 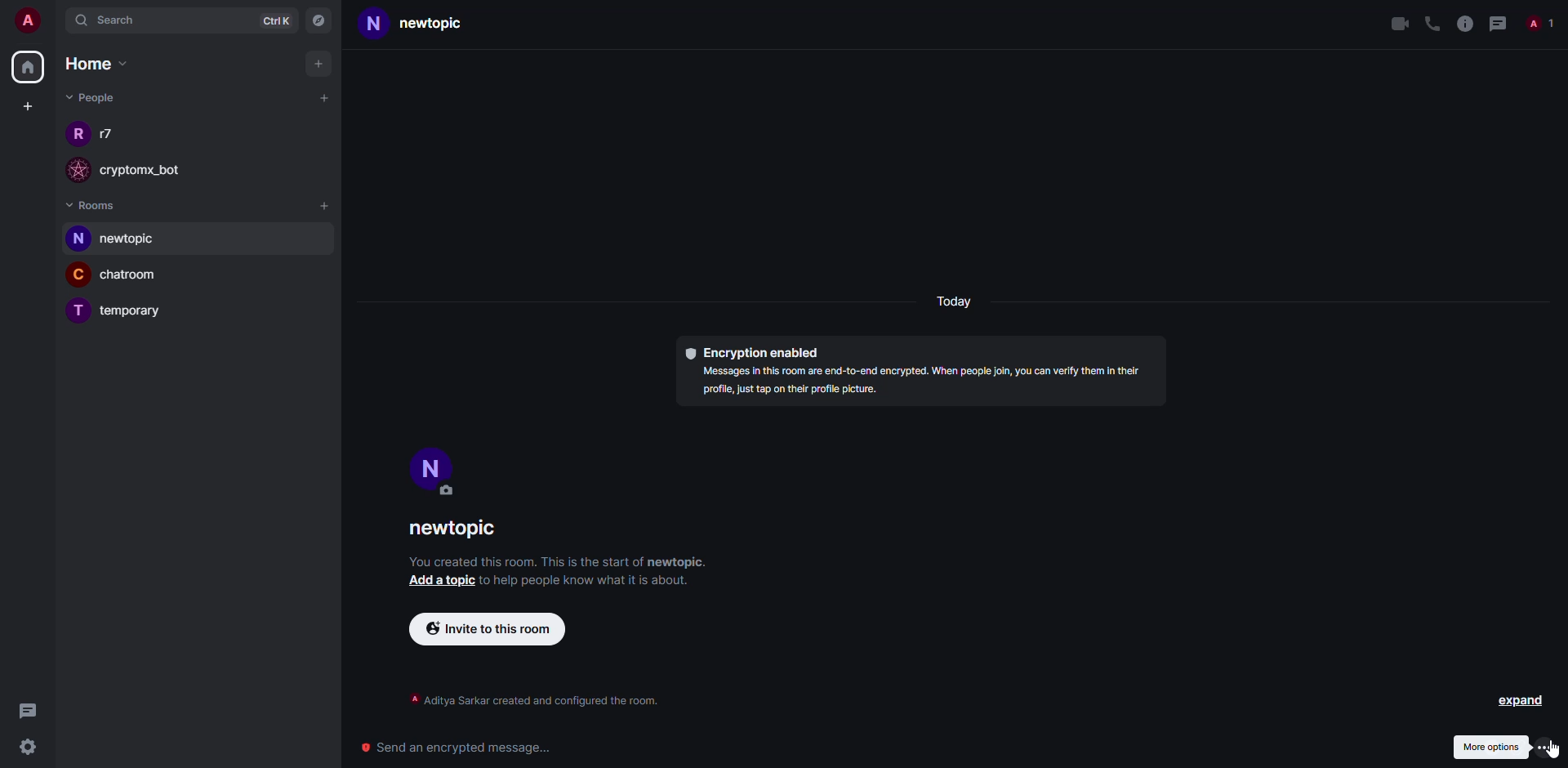 I want to click on people, so click(x=1540, y=23).